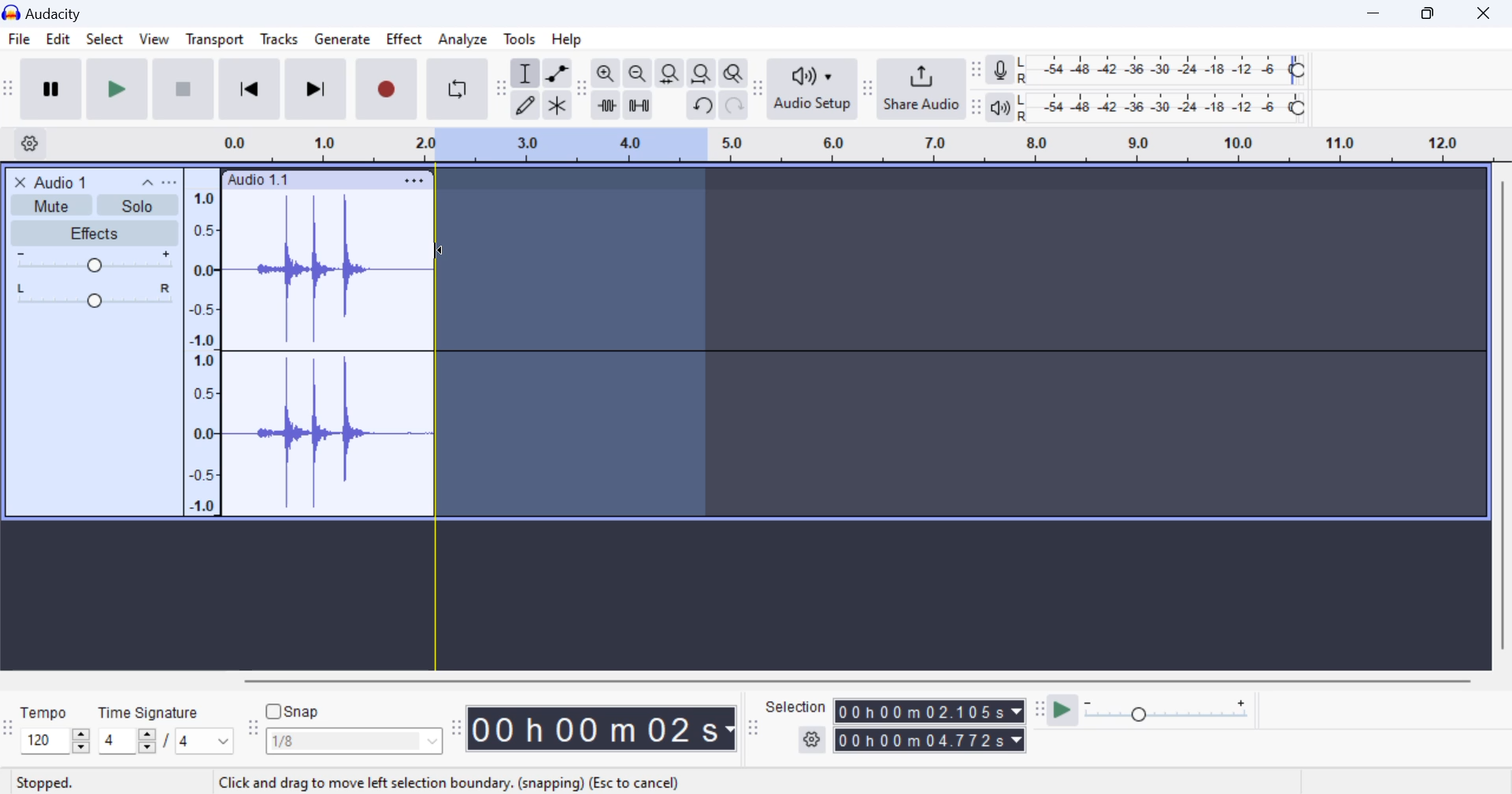 Image resolution: width=1512 pixels, height=794 pixels. I want to click on increase or decrease tempo, so click(54, 740).